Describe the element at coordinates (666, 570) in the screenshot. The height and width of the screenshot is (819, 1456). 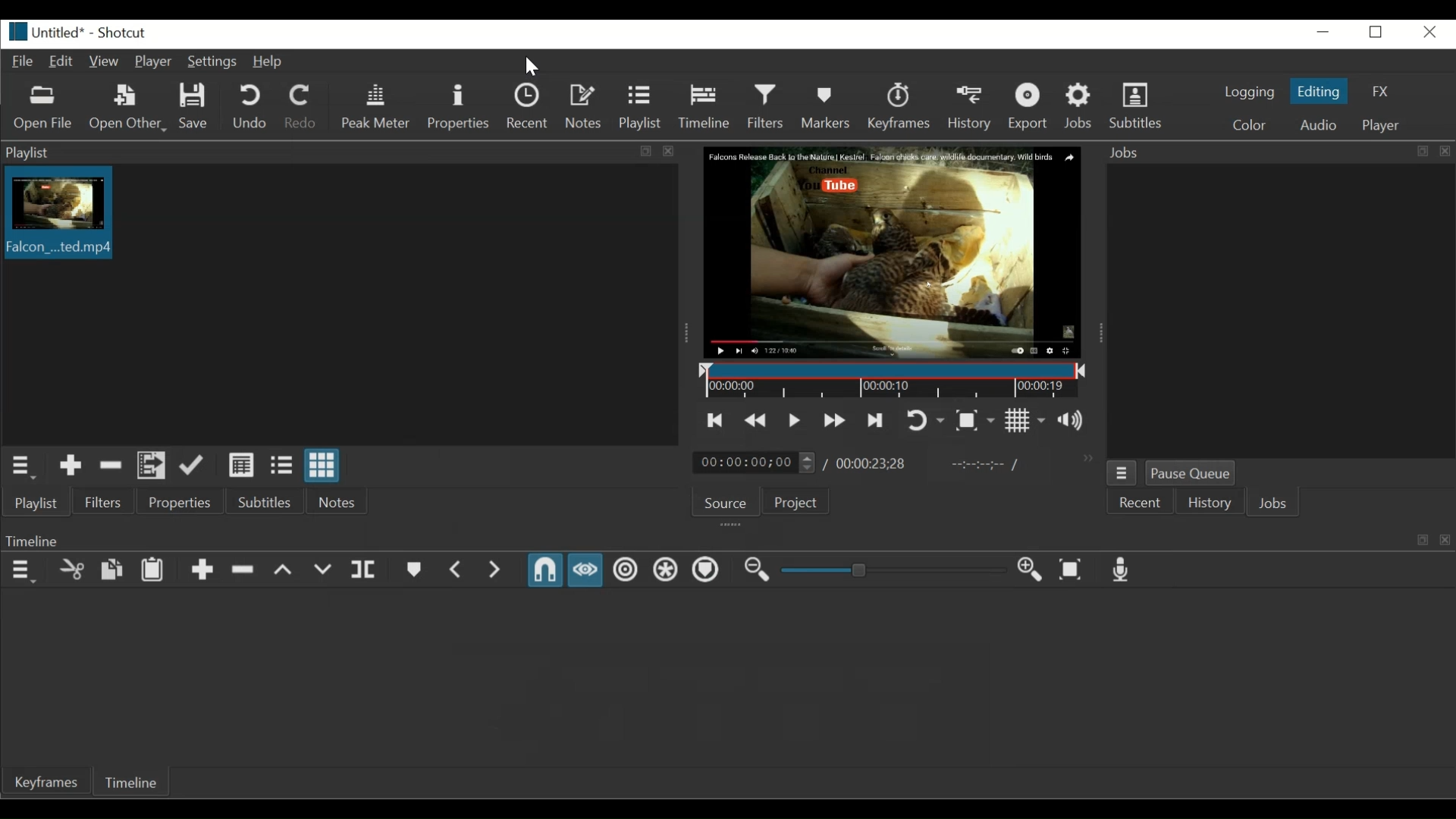
I see `Ripple all tracks` at that location.